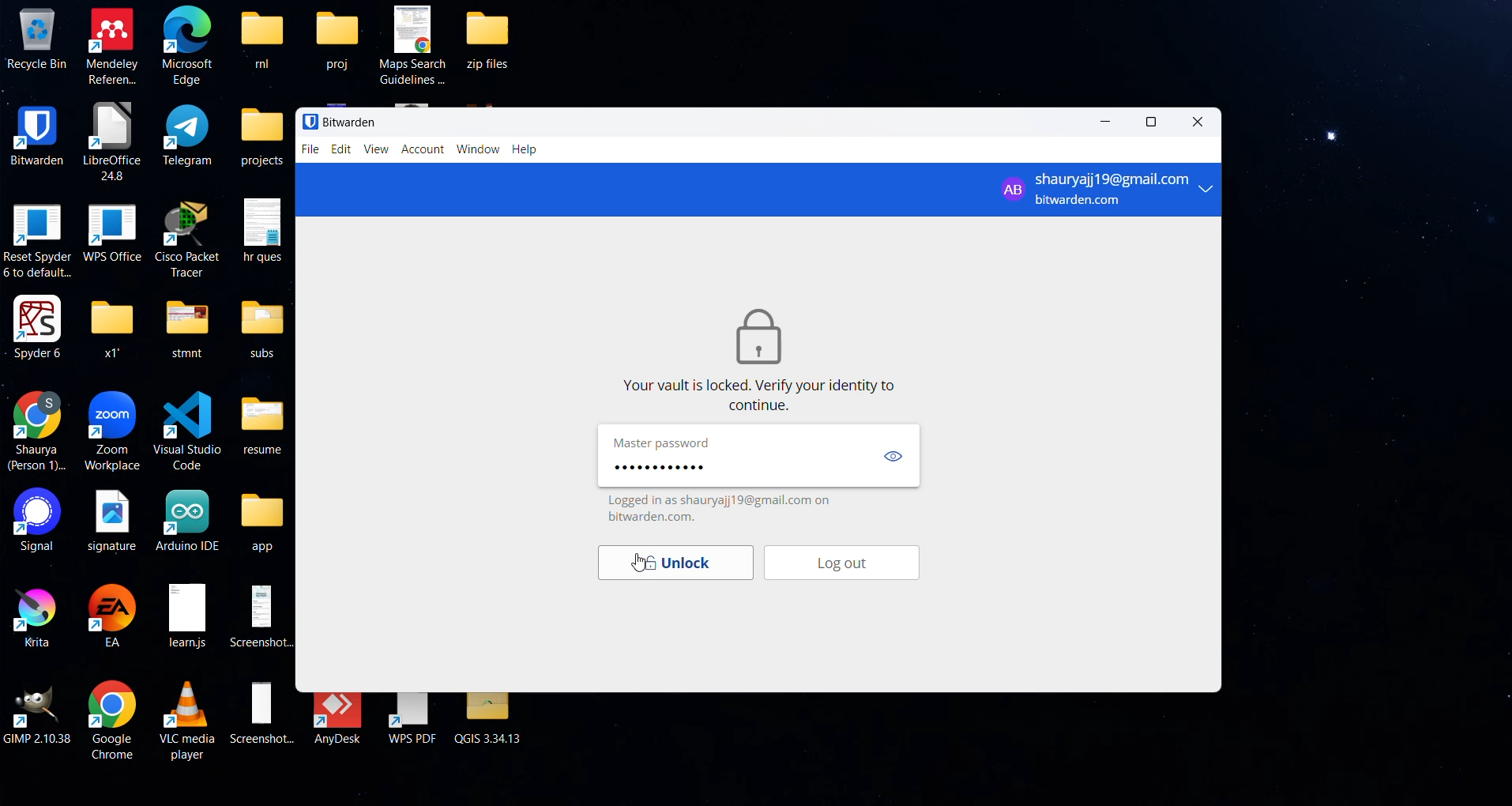  What do you see at coordinates (188, 47) in the screenshot?
I see `Microsoft Edge` at bounding box center [188, 47].